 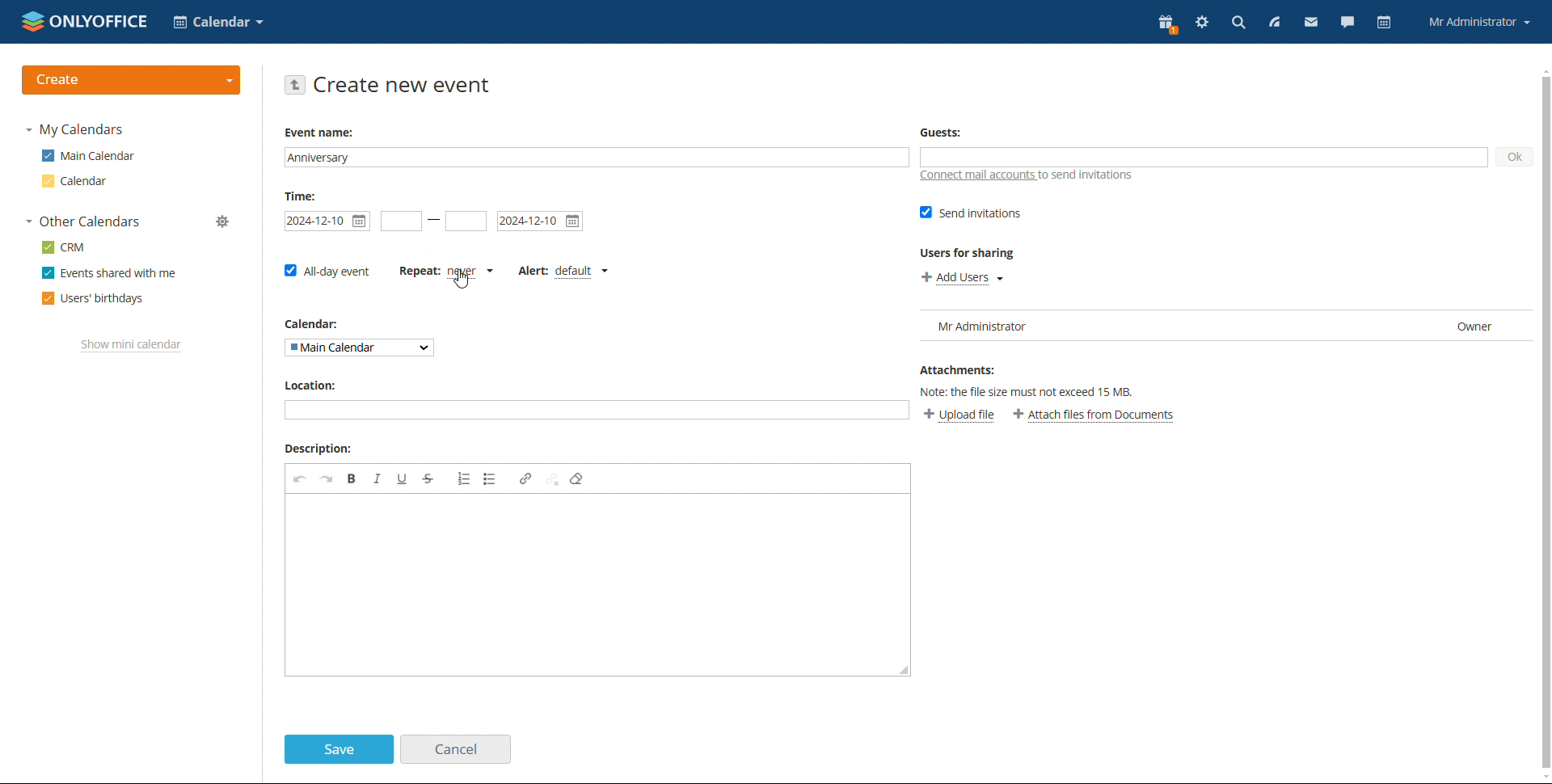 What do you see at coordinates (93, 298) in the screenshot?
I see `users' birthdays` at bounding box center [93, 298].